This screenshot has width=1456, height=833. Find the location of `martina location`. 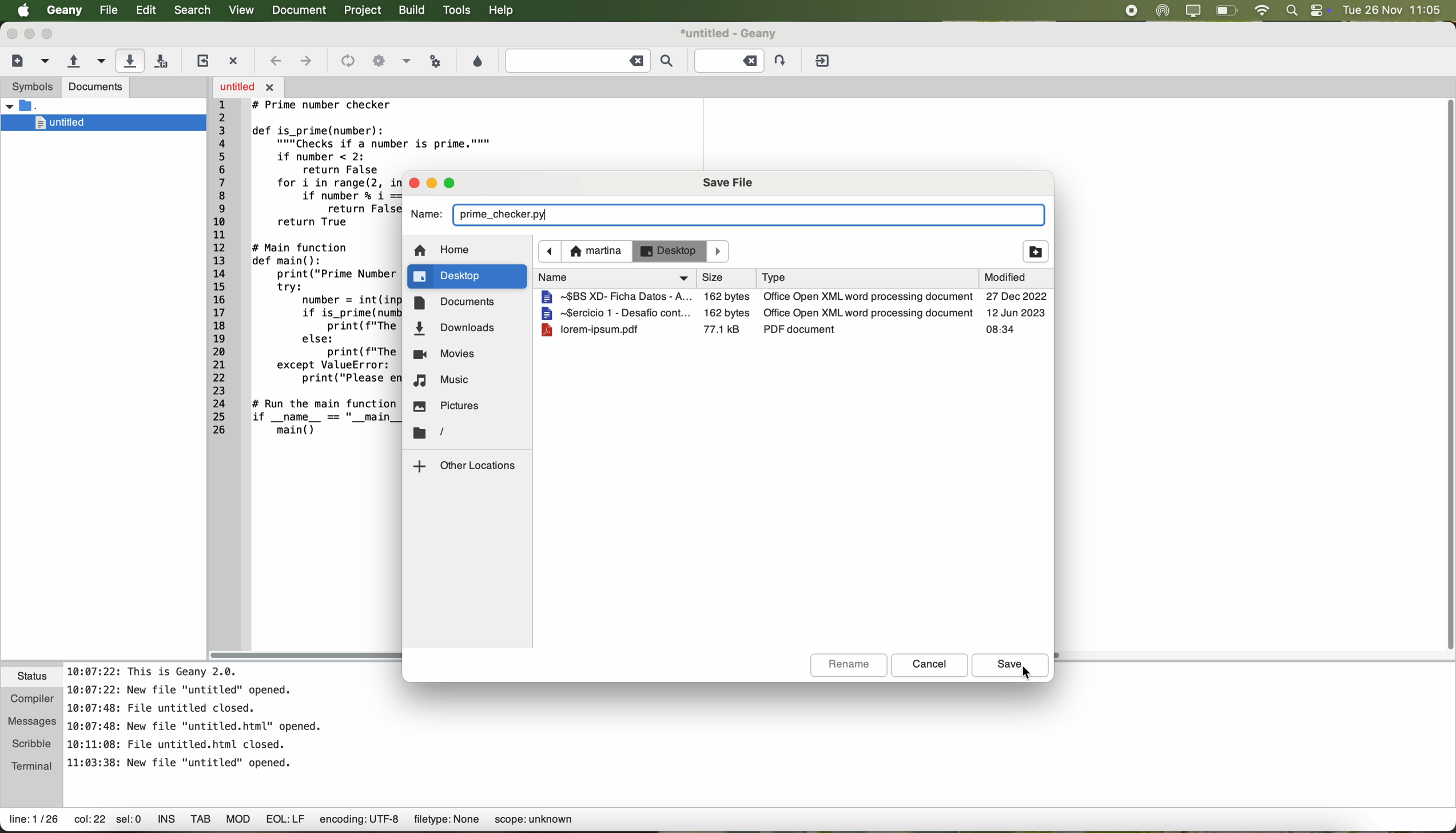

martina location is located at coordinates (598, 252).